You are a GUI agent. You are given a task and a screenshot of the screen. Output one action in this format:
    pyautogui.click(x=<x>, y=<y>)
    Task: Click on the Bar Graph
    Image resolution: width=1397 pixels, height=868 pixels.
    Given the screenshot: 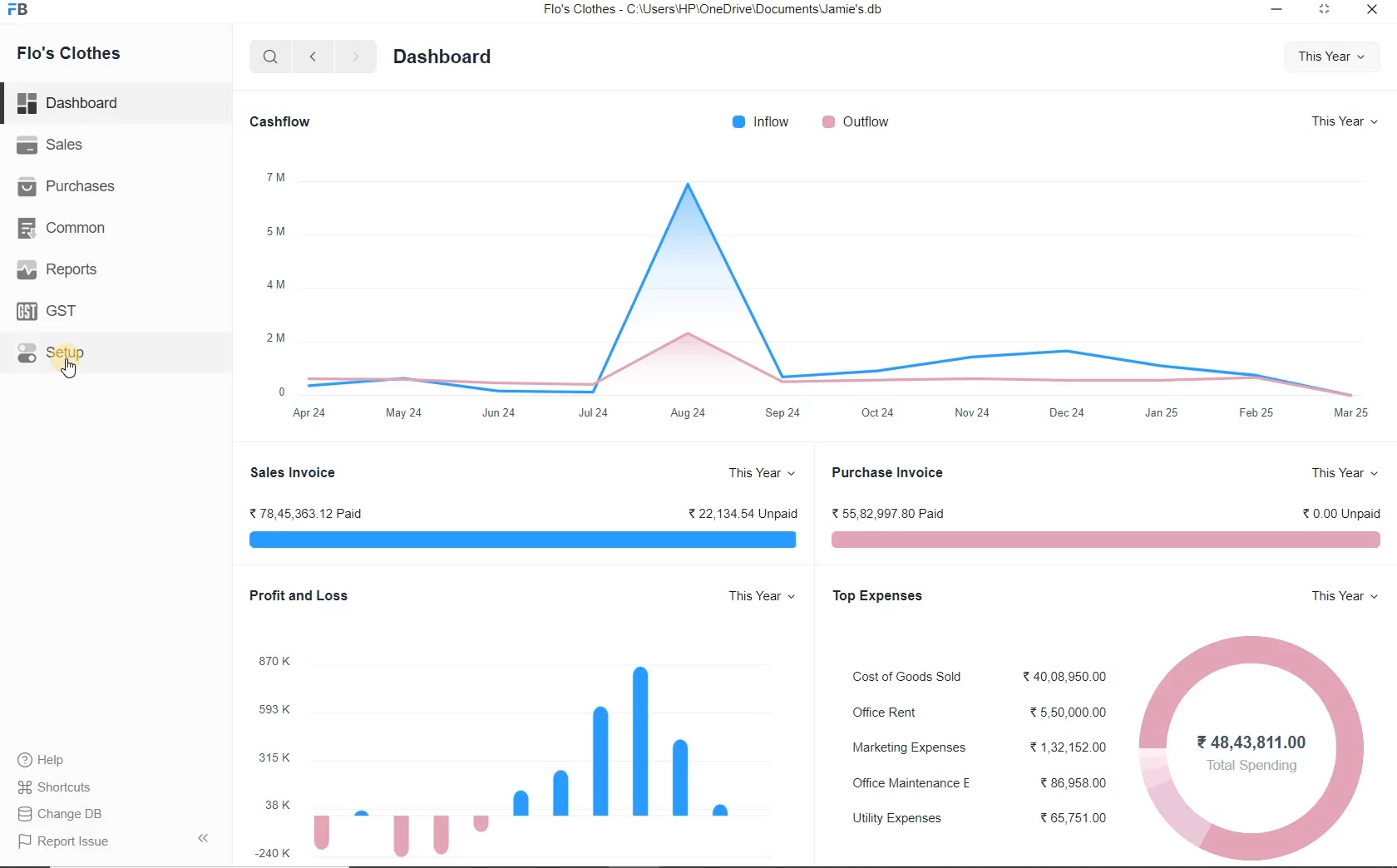 What is the action you would take?
    pyautogui.click(x=523, y=762)
    